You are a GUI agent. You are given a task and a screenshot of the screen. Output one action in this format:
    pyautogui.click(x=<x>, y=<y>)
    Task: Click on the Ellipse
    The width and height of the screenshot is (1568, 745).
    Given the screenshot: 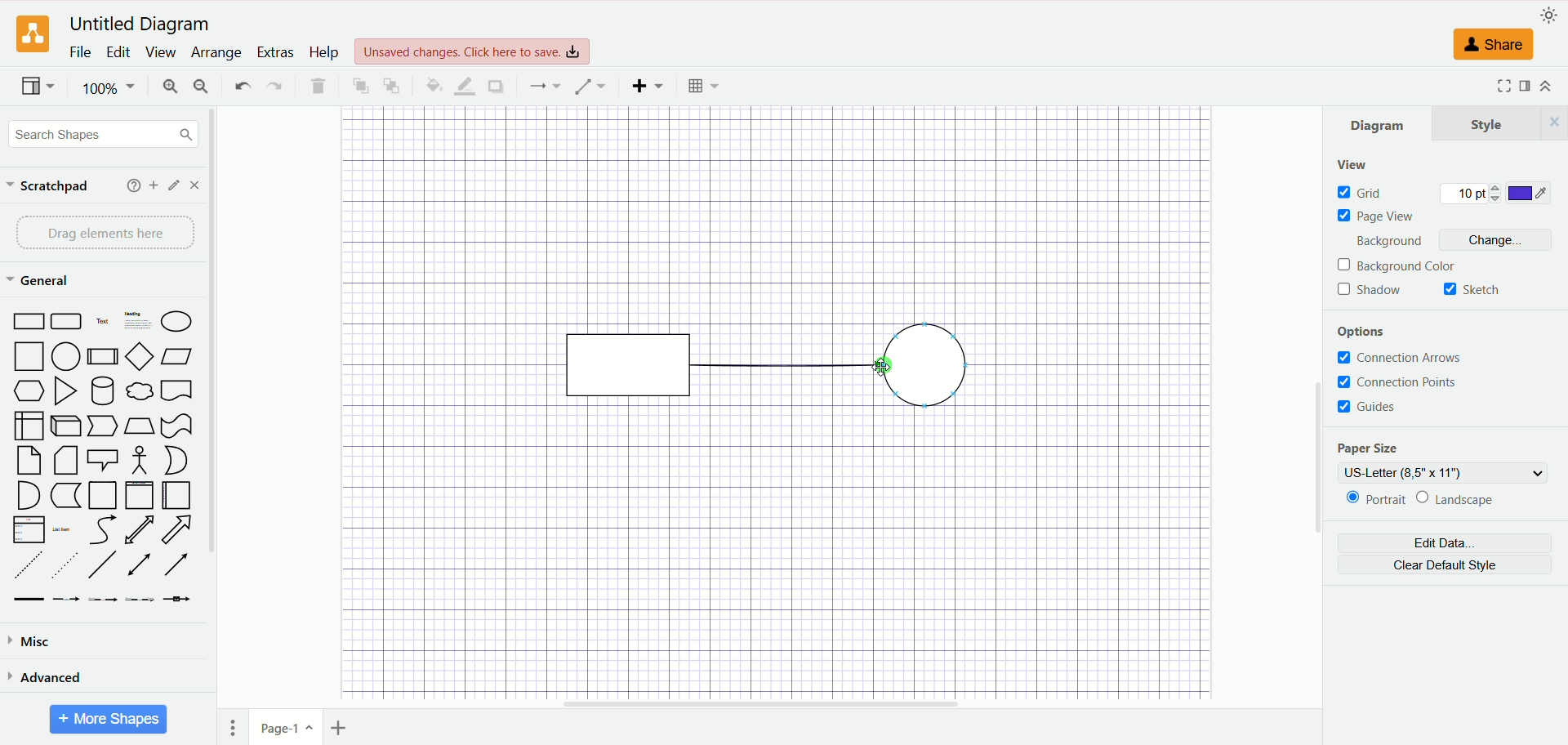 What is the action you would take?
    pyautogui.click(x=176, y=323)
    